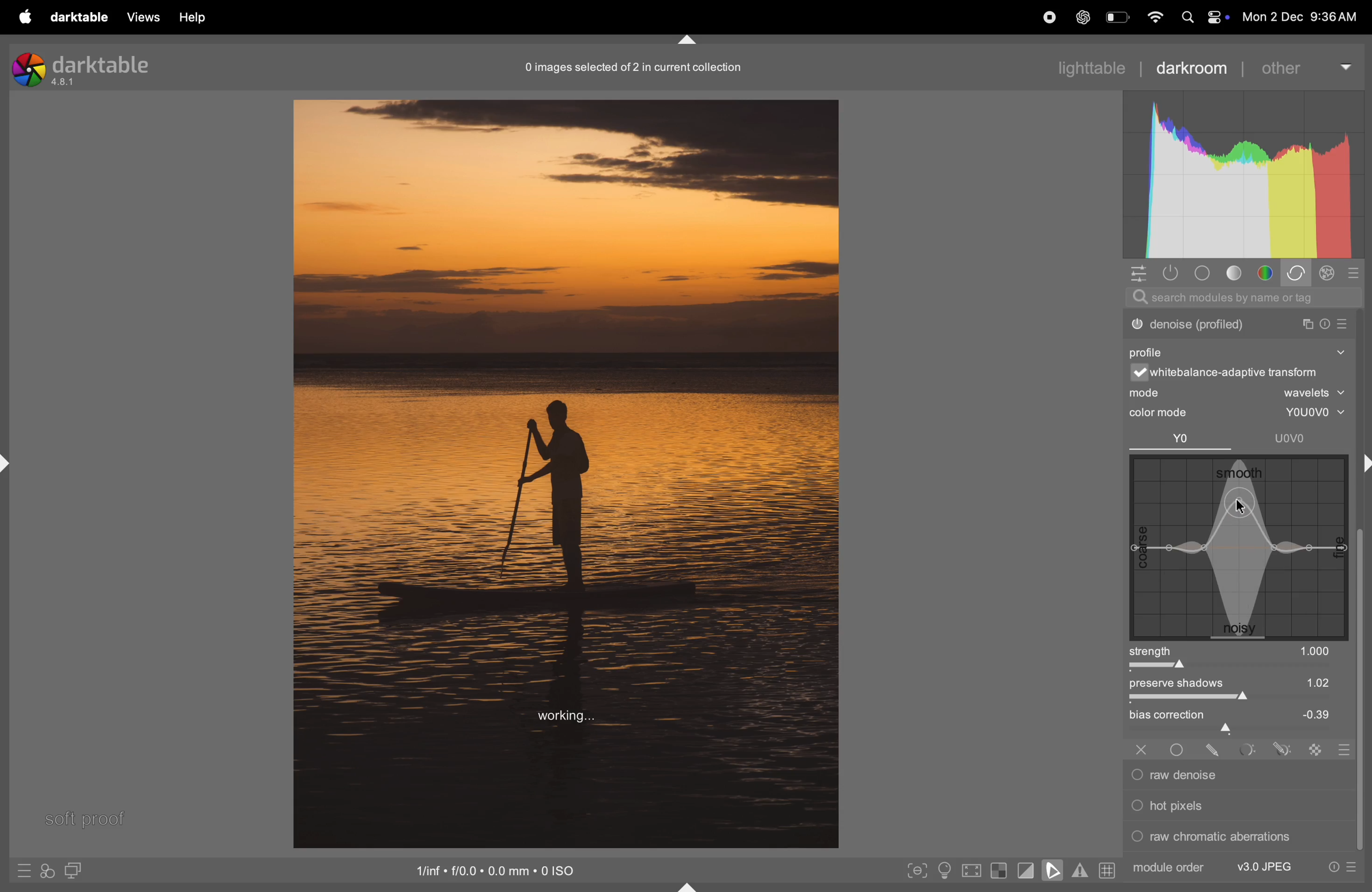  What do you see at coordinates (1299, 274) in the screenshot?
I see `correct` at bounding box center [1299, 274].